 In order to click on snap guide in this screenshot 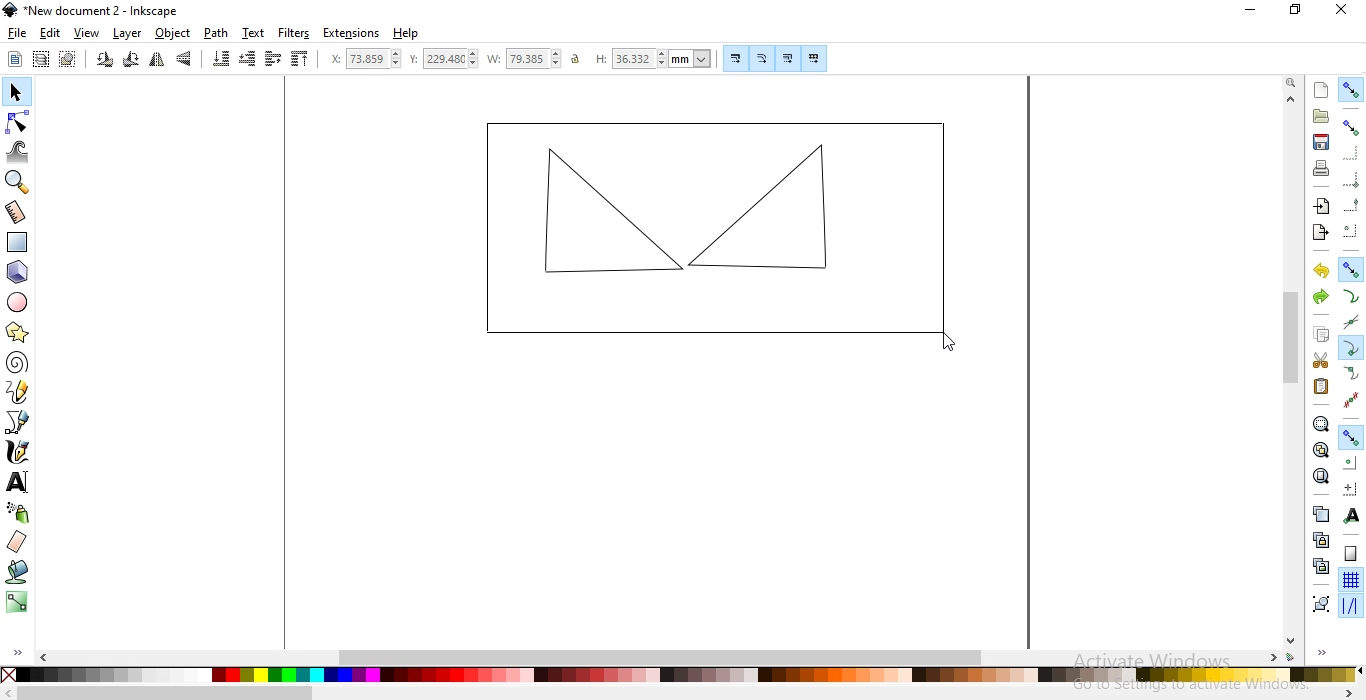, I will do `click(1350, 607)`.